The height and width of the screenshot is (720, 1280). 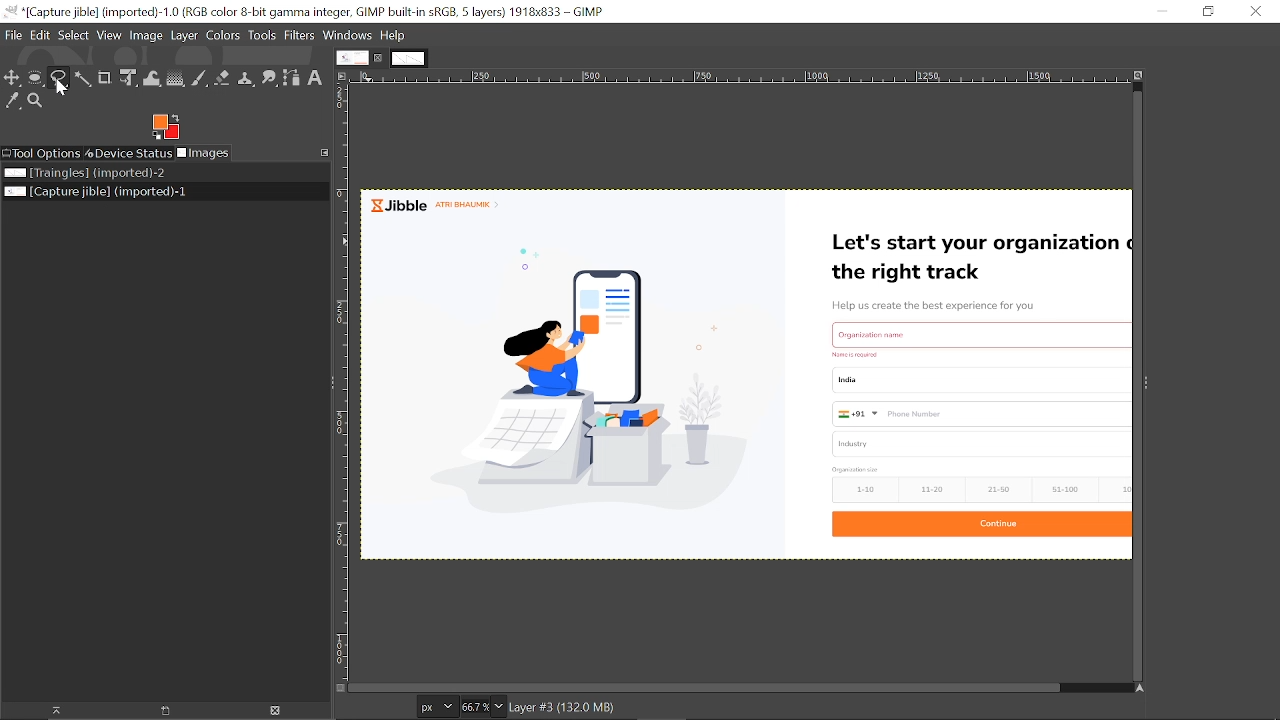 I want to click on Image, so click(x=145, y=37).